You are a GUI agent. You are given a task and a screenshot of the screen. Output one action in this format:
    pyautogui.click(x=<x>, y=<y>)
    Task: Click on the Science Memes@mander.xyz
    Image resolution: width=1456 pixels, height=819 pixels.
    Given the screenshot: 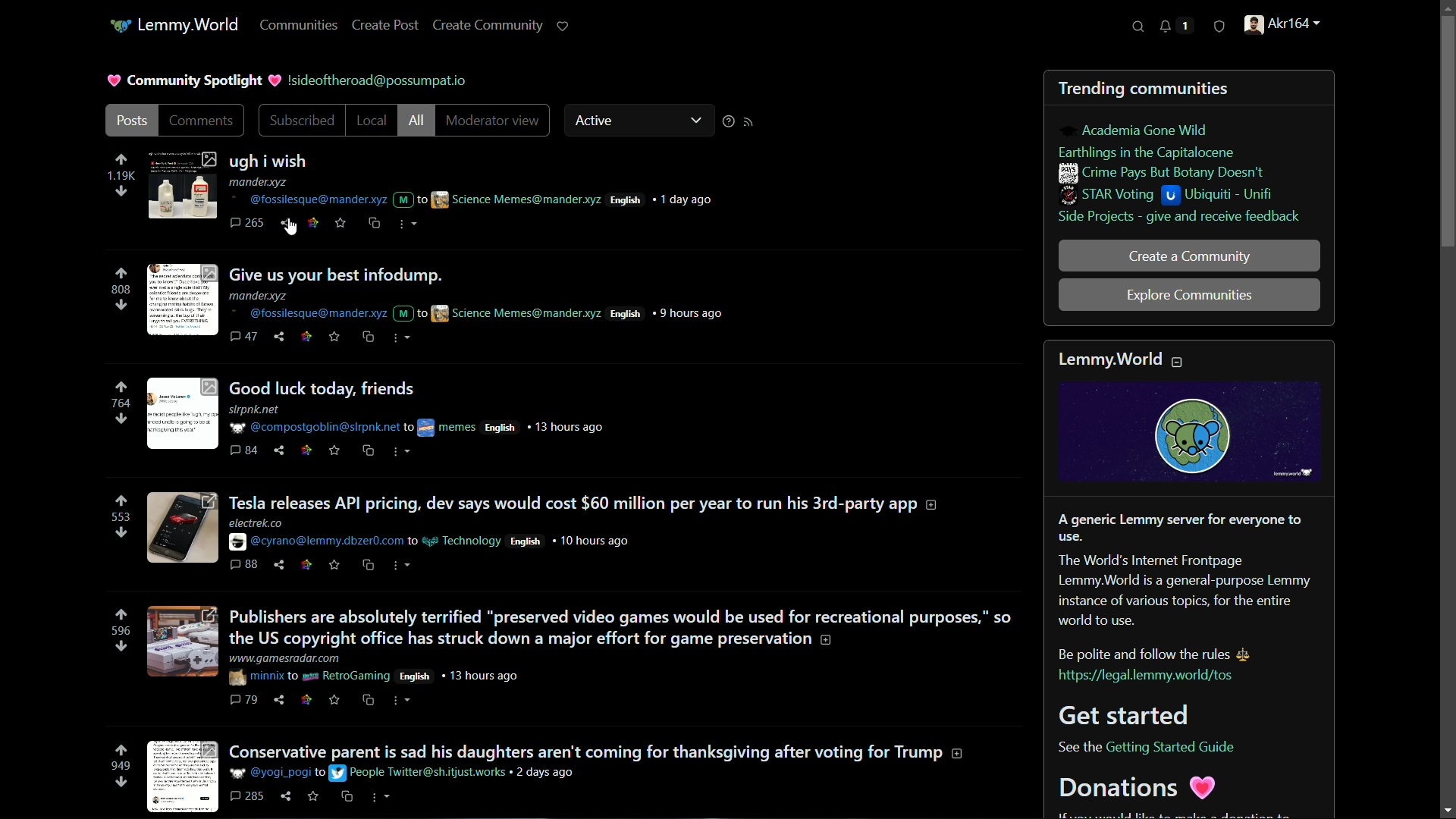 What is the action you would take?
    pyautogui.click(x=516, y=200)
    